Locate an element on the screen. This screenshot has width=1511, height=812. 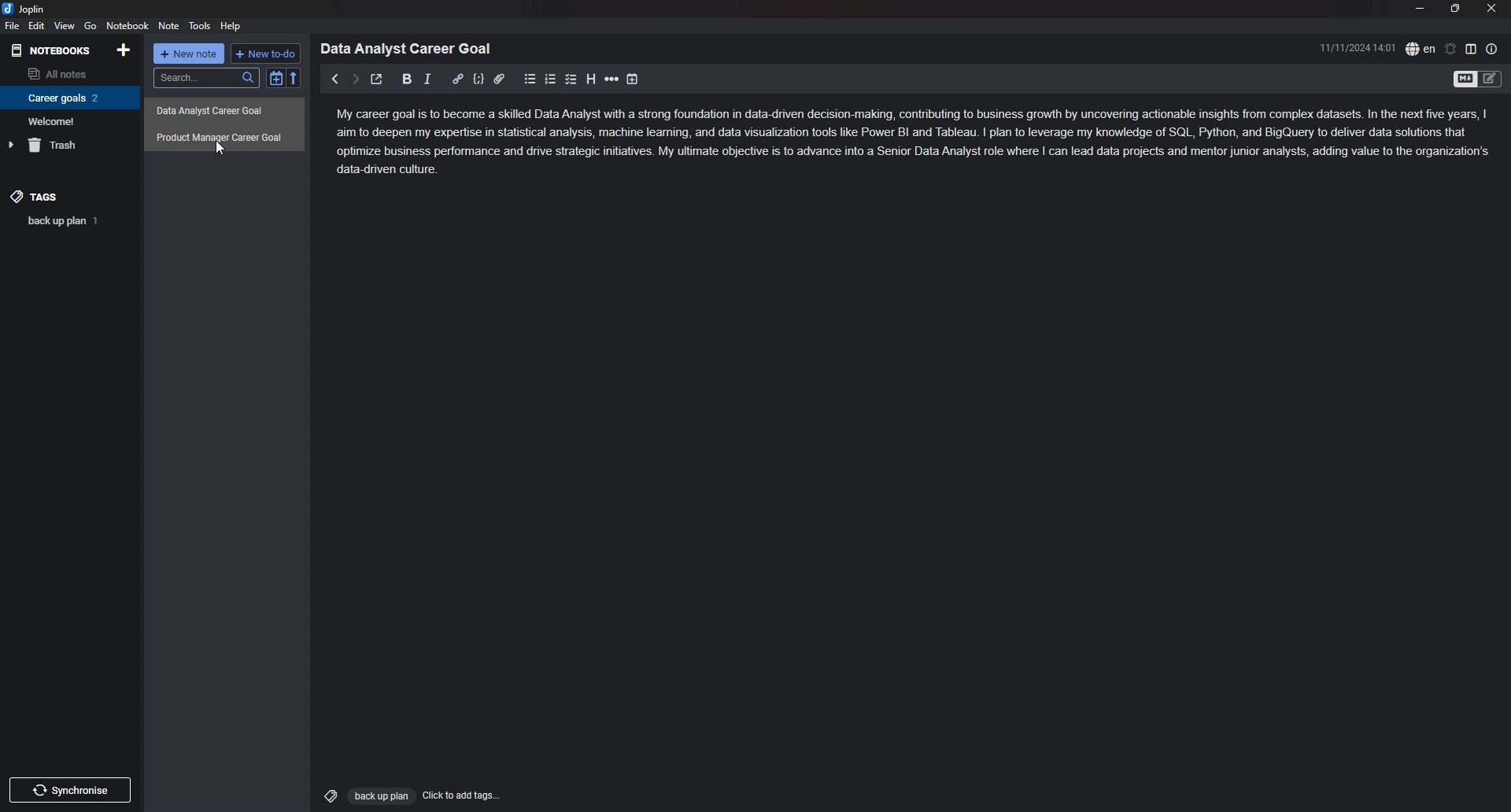
Click to add tags... is located at coordinates (463, 795).